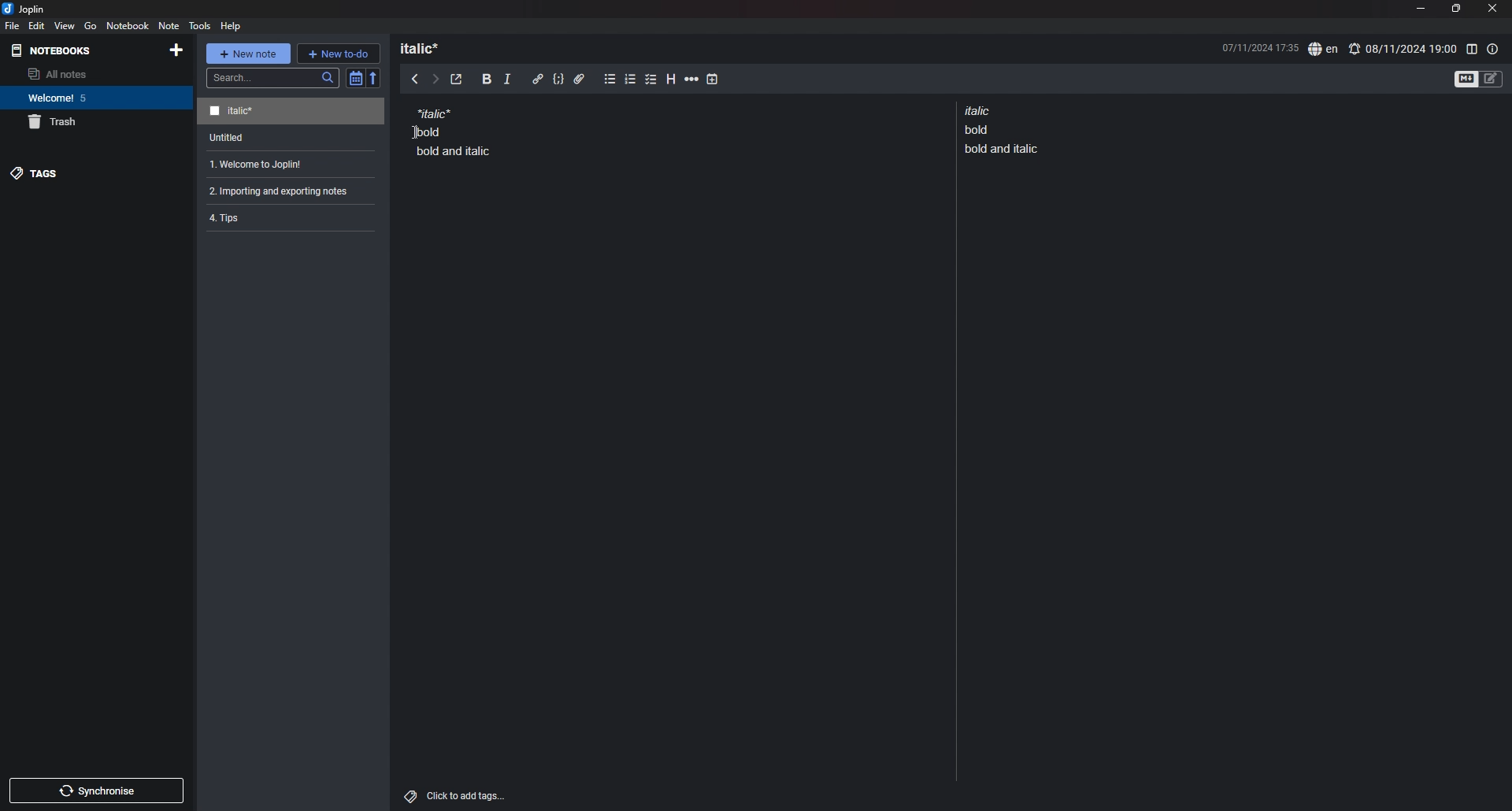 The height and width of the screenshot is (811, 1512). What do you see at coordinates (1493, 49) in the screenshot?
I see `note properties` at bounding box center [1493, 49].